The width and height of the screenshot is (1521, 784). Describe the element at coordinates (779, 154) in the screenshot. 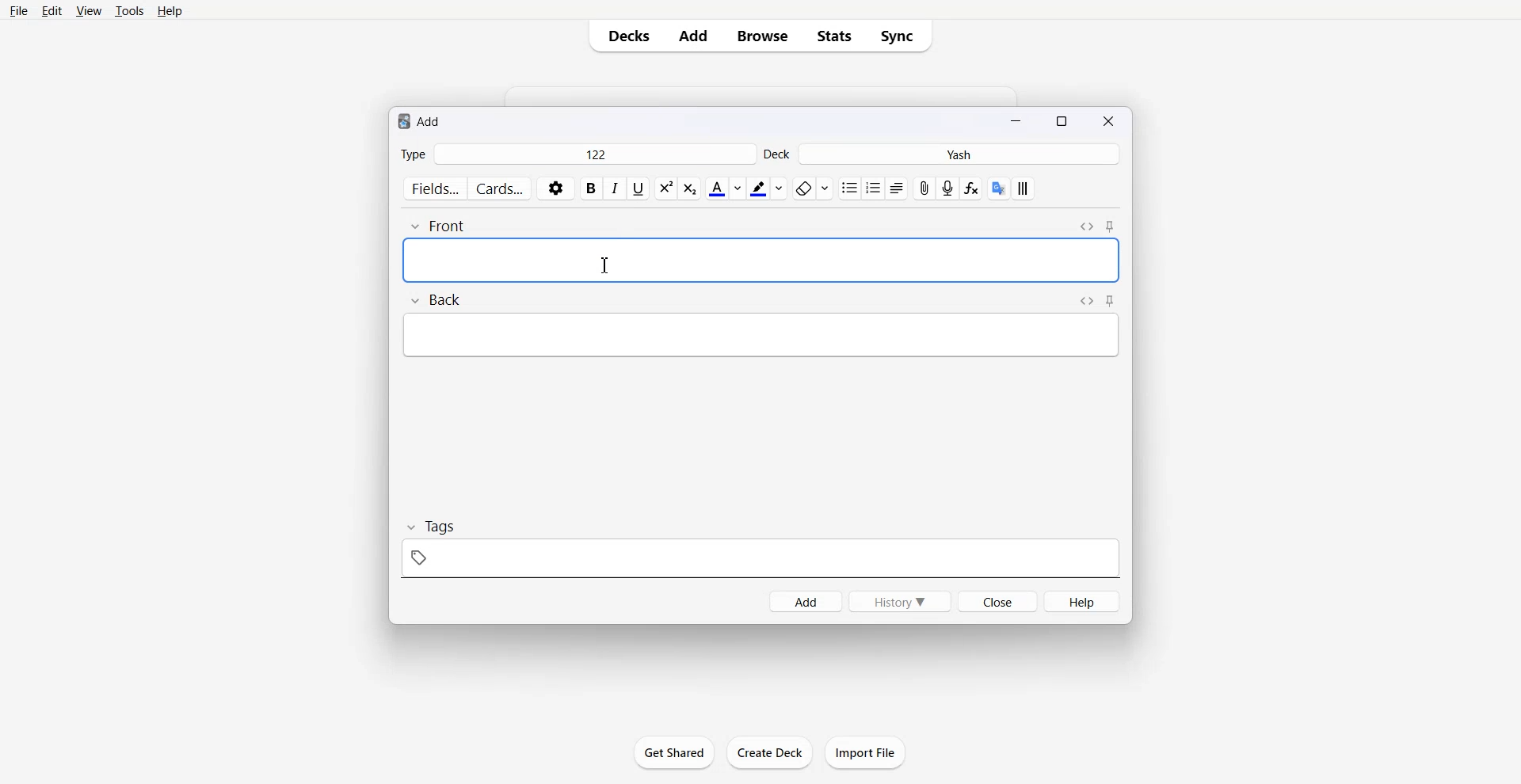

I see `Deck` at that location.